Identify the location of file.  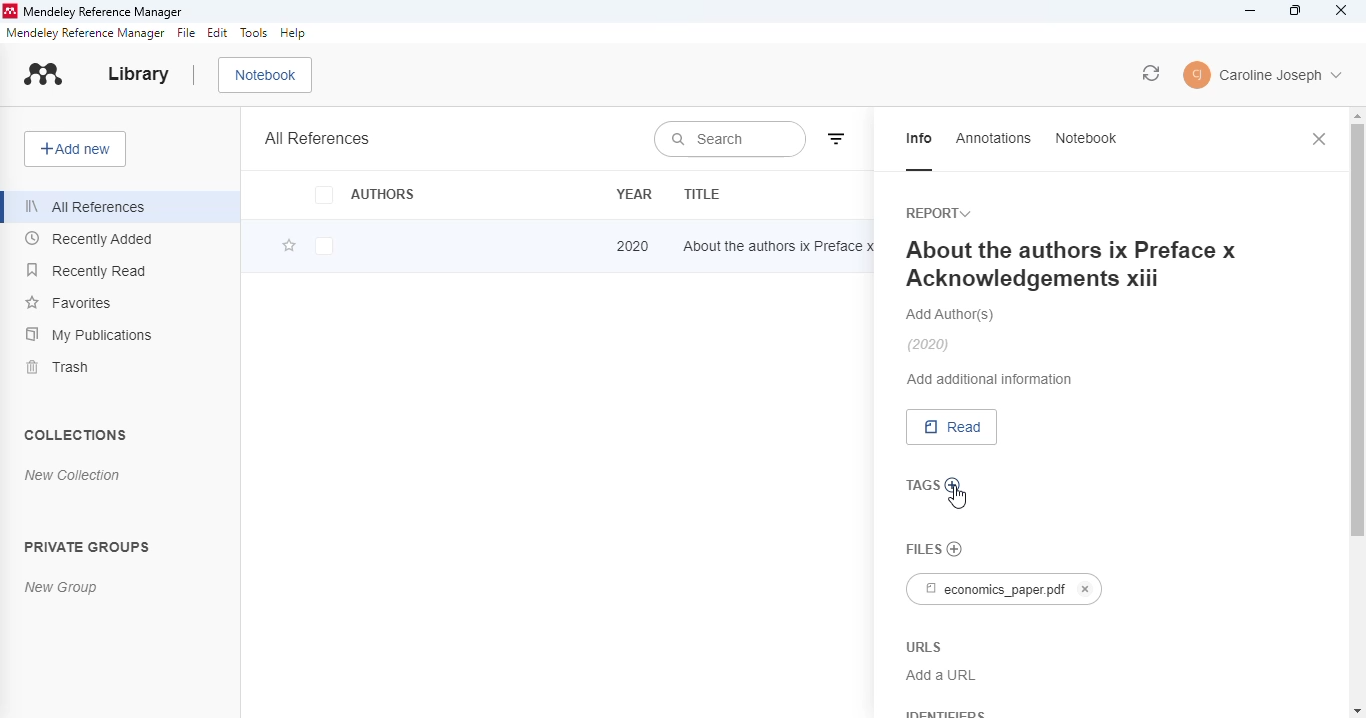
(186, 33).